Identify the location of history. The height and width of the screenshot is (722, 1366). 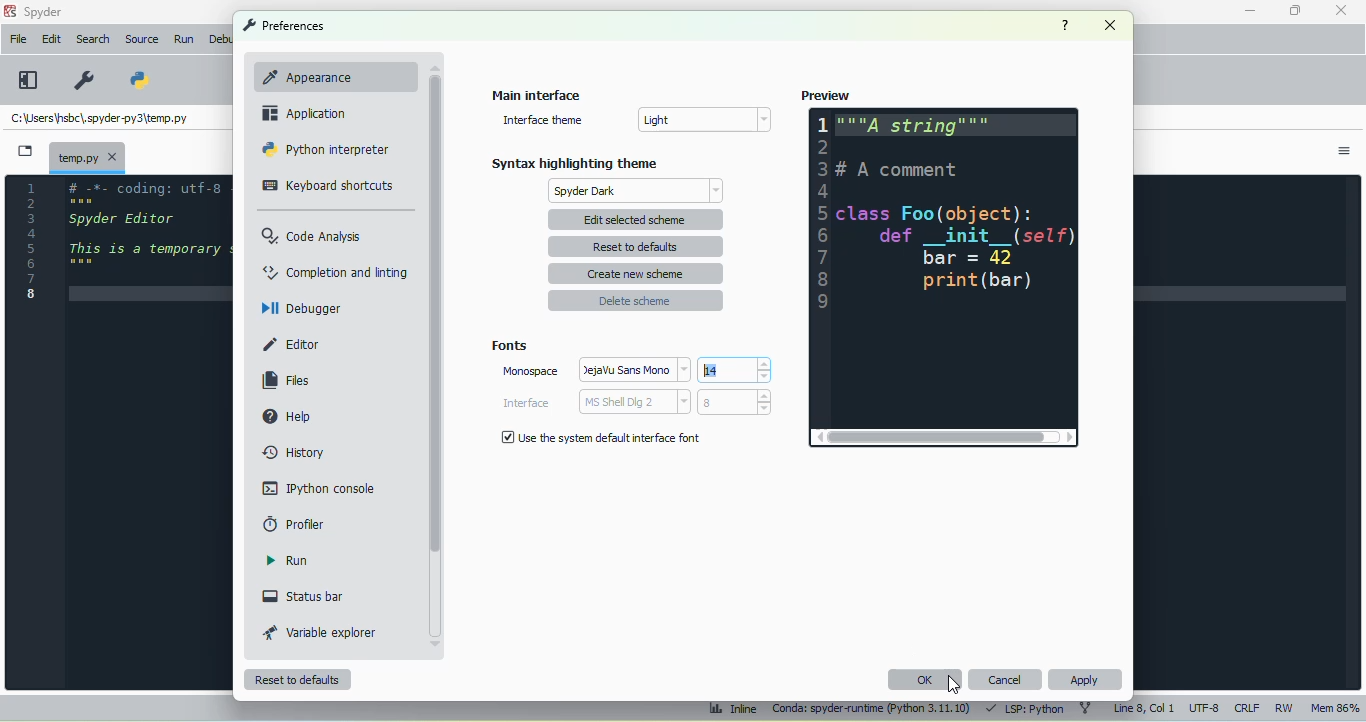
(296, 453).